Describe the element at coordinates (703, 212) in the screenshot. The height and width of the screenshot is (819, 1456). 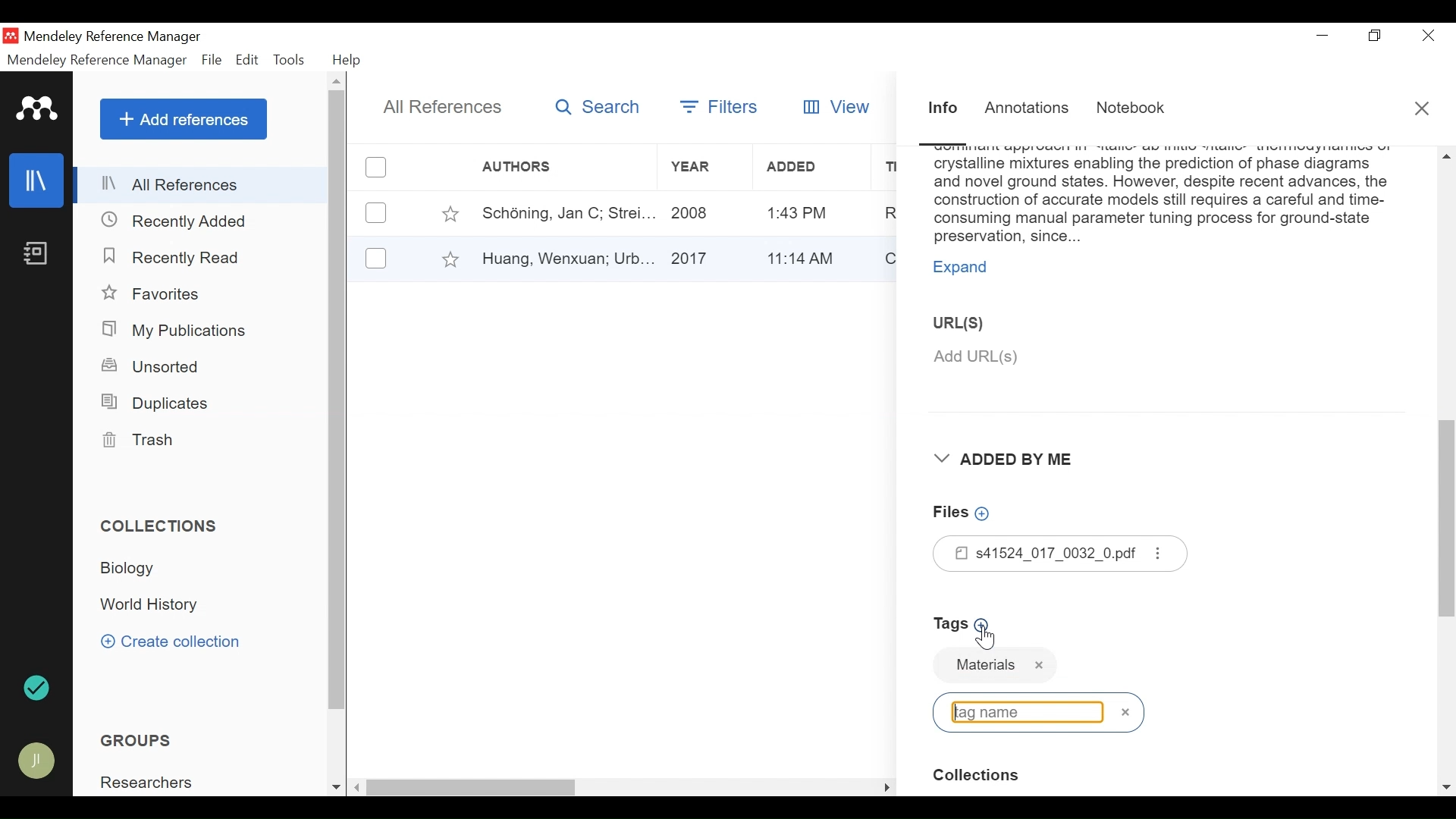
I see `Year` at that location.